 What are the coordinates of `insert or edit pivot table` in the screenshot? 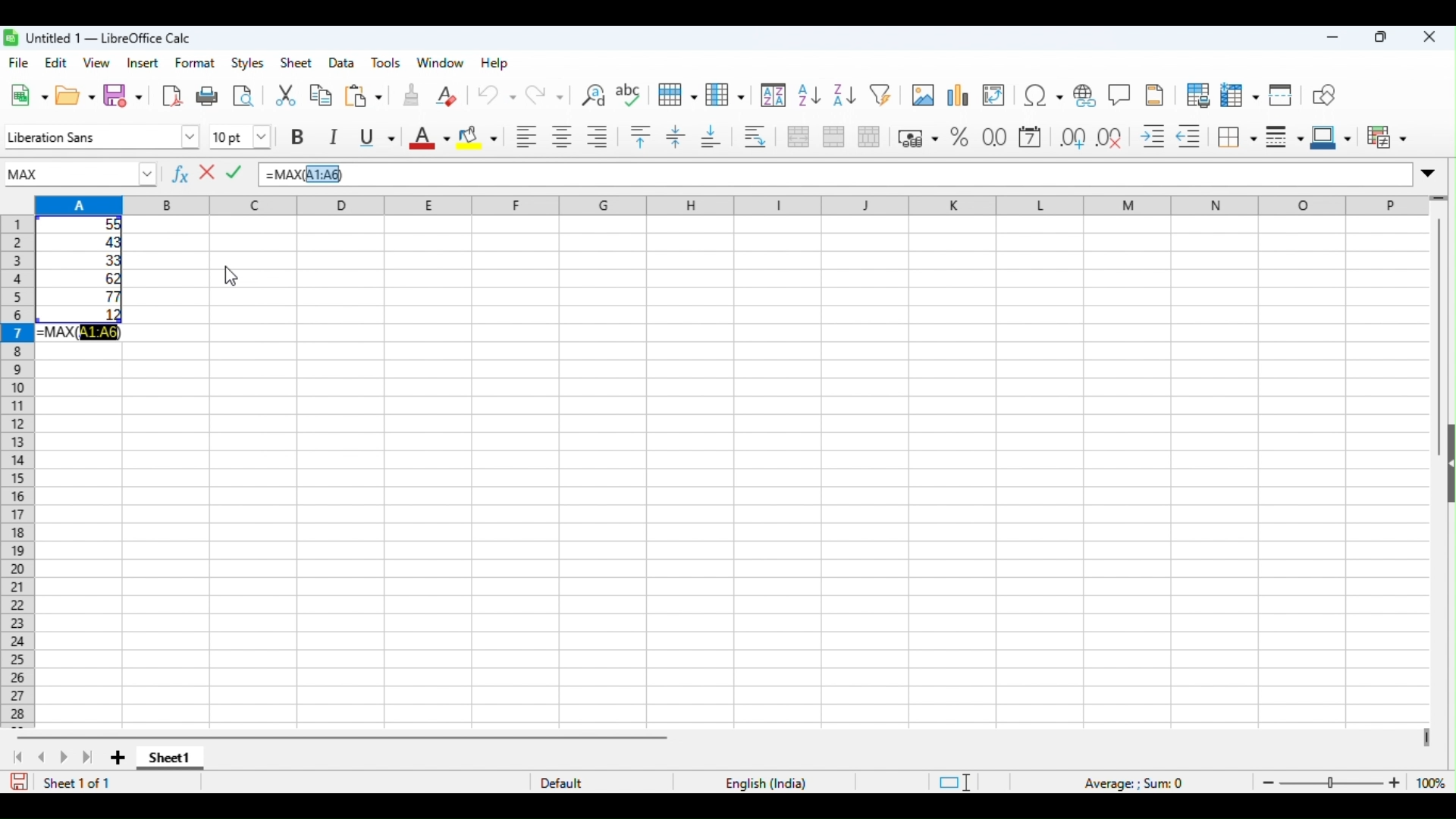 It's located at (996, 93).